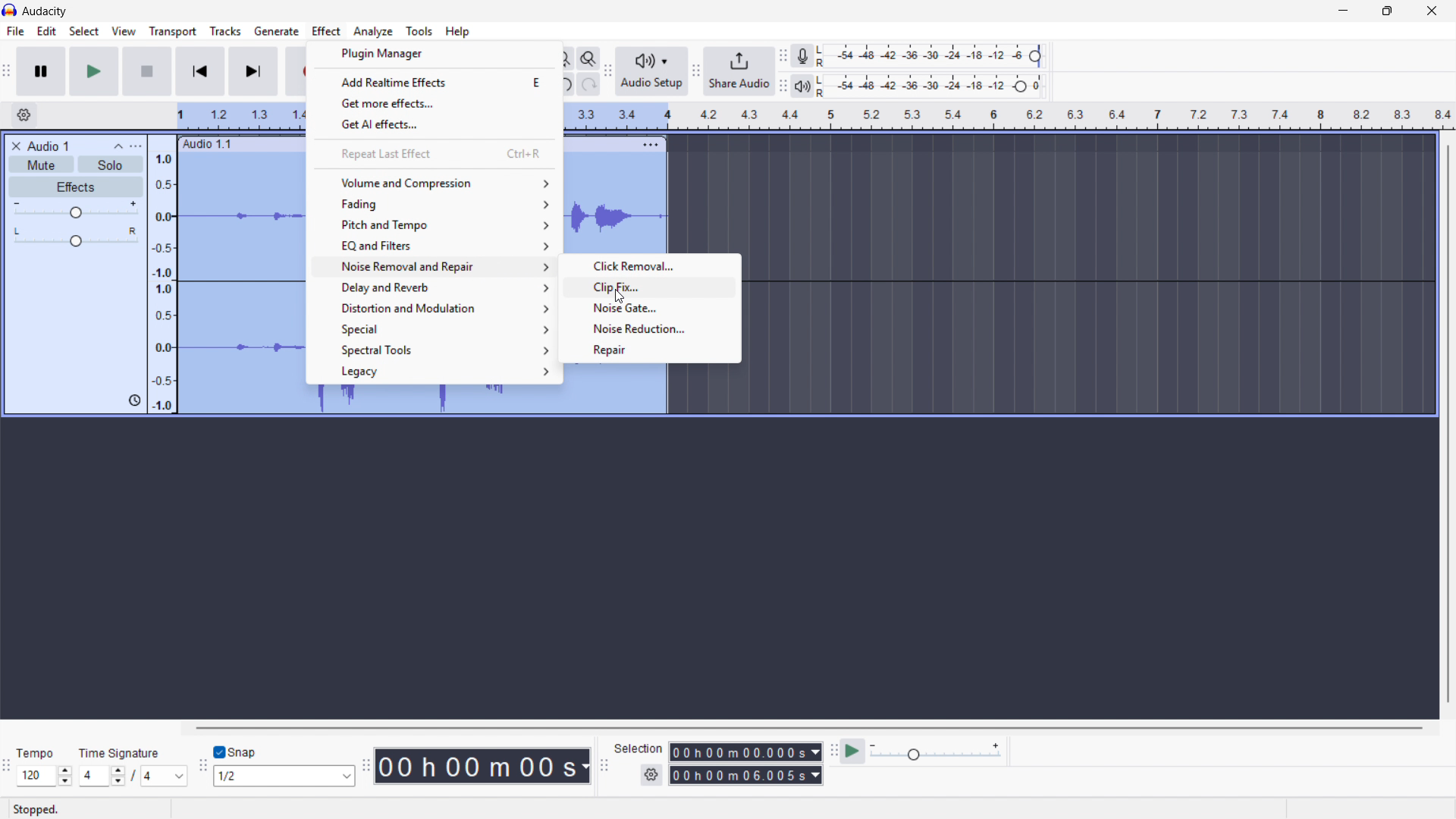 This screenshot has width=1456, height=819. I want to click on Delay & reverb, so click(433, 288).